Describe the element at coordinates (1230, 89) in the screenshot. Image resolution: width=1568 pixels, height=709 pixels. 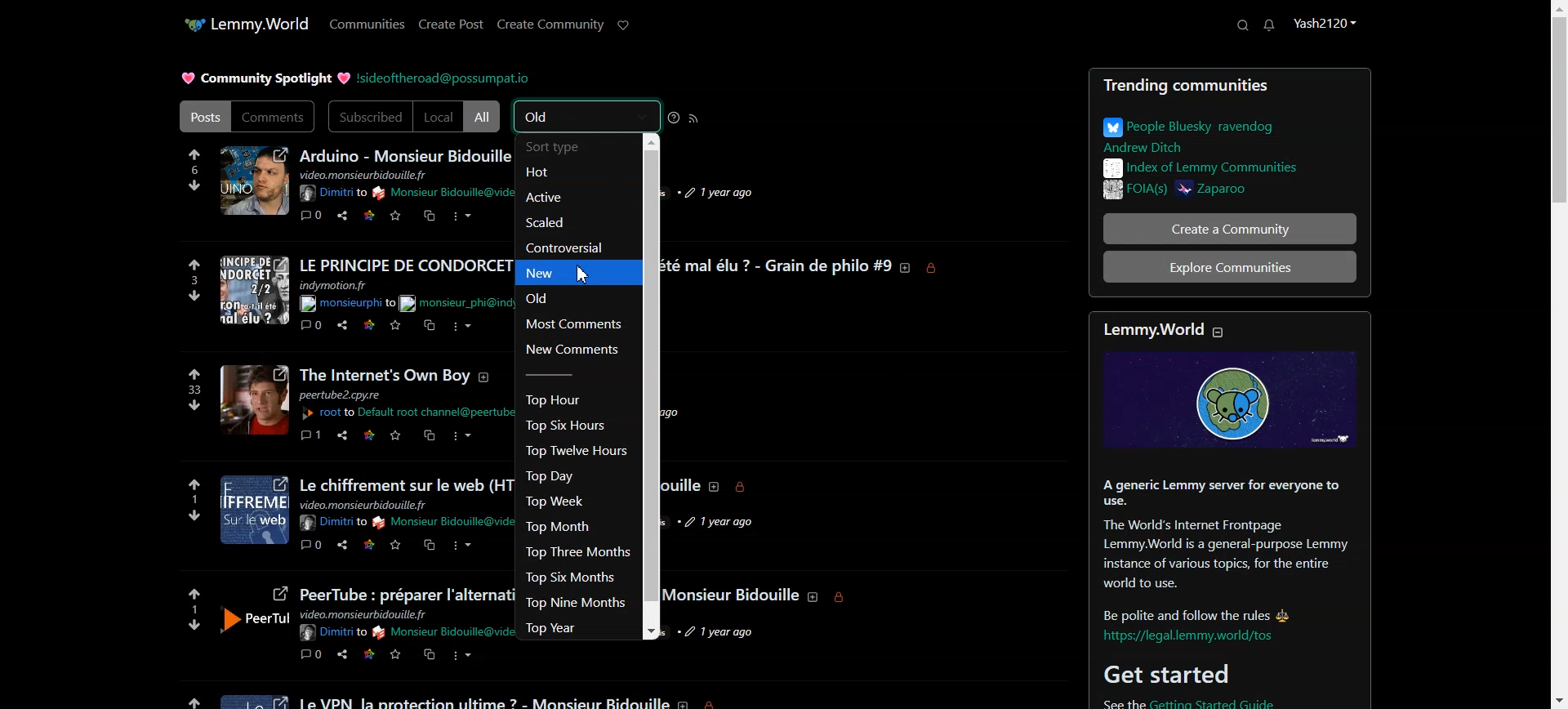
I see `Trending communities` at that location.